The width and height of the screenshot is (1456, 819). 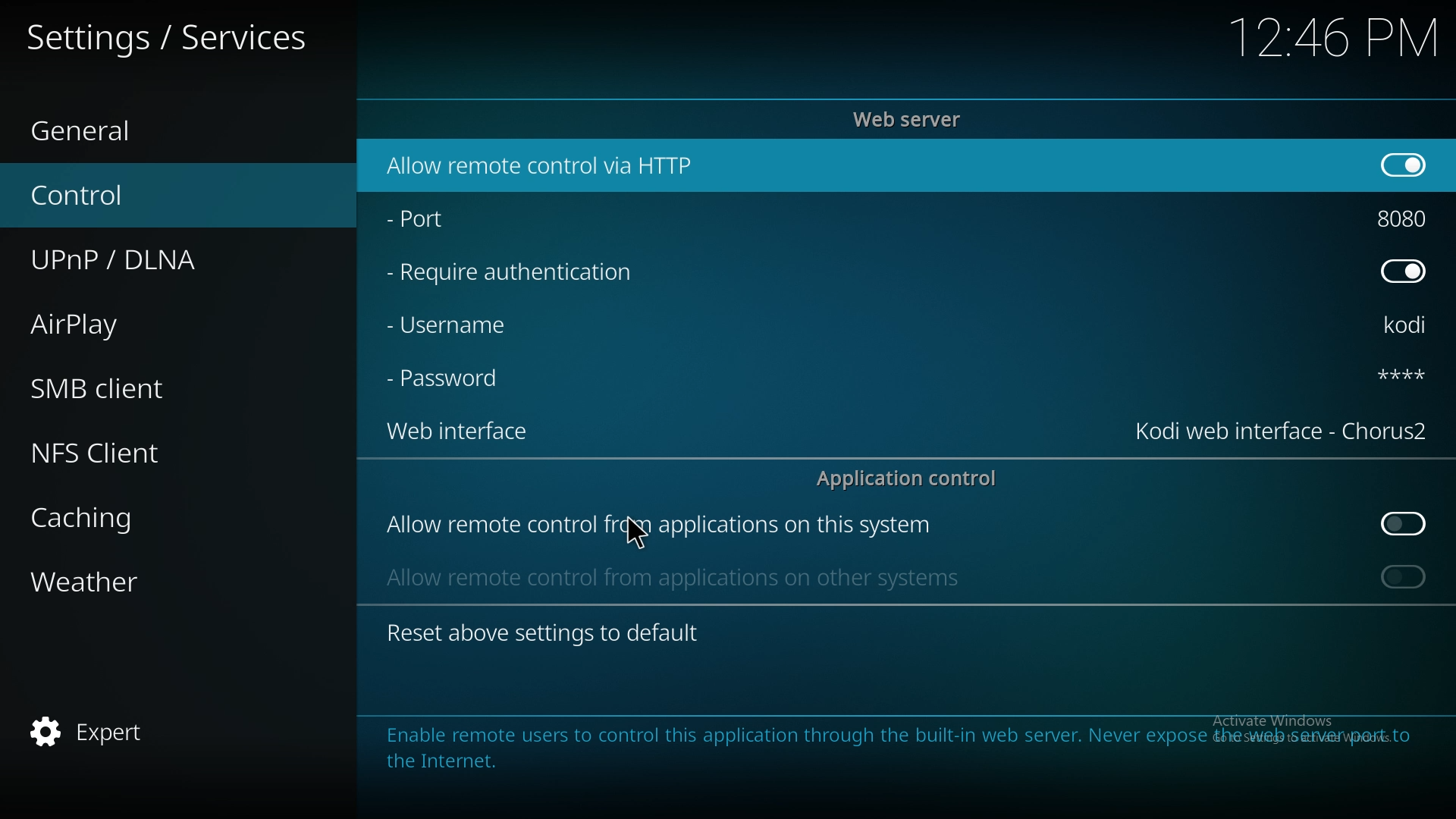 I want to click on username, so click(x=449, y=325).